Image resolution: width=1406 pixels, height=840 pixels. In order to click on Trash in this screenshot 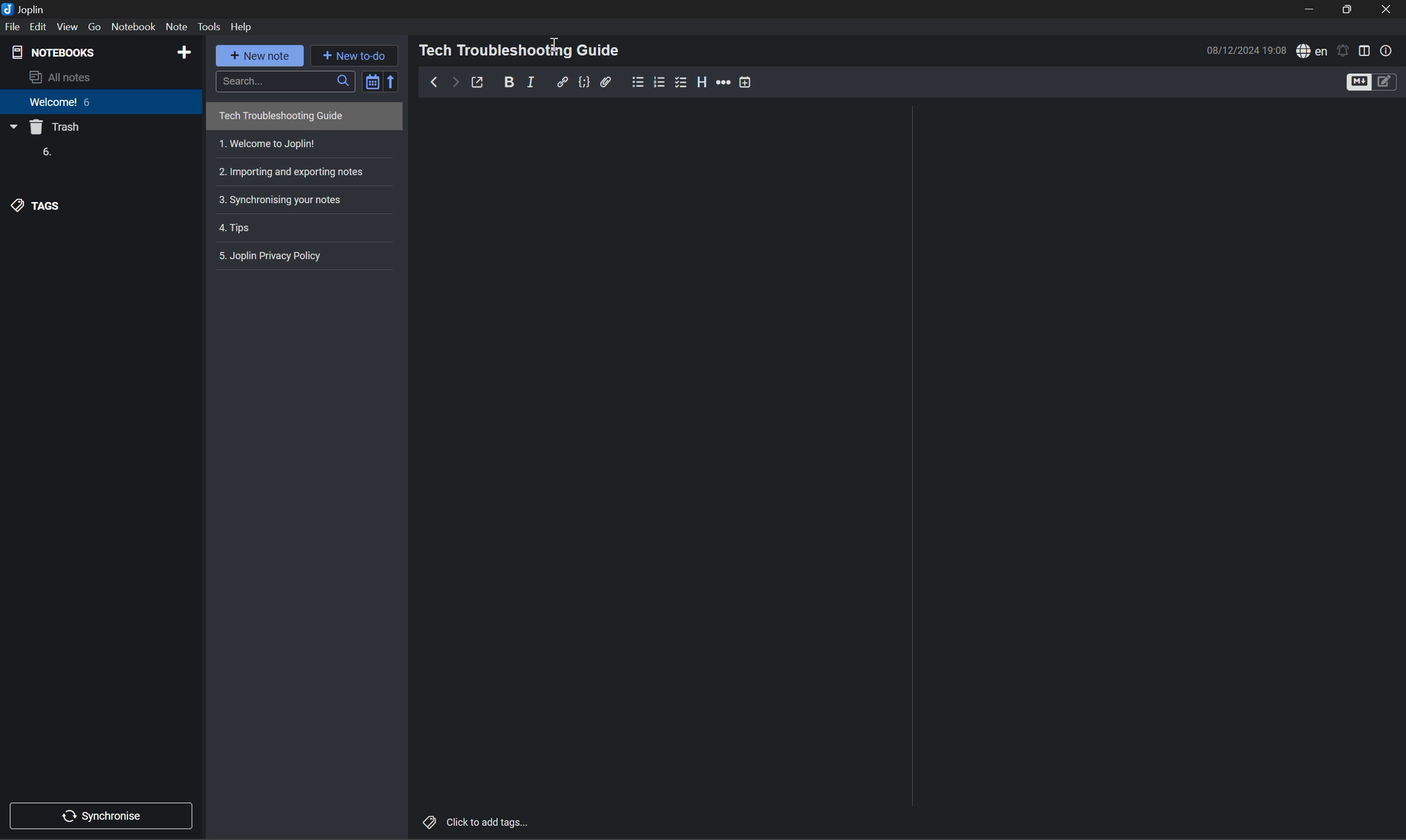, I will do `click(57, 128)`.